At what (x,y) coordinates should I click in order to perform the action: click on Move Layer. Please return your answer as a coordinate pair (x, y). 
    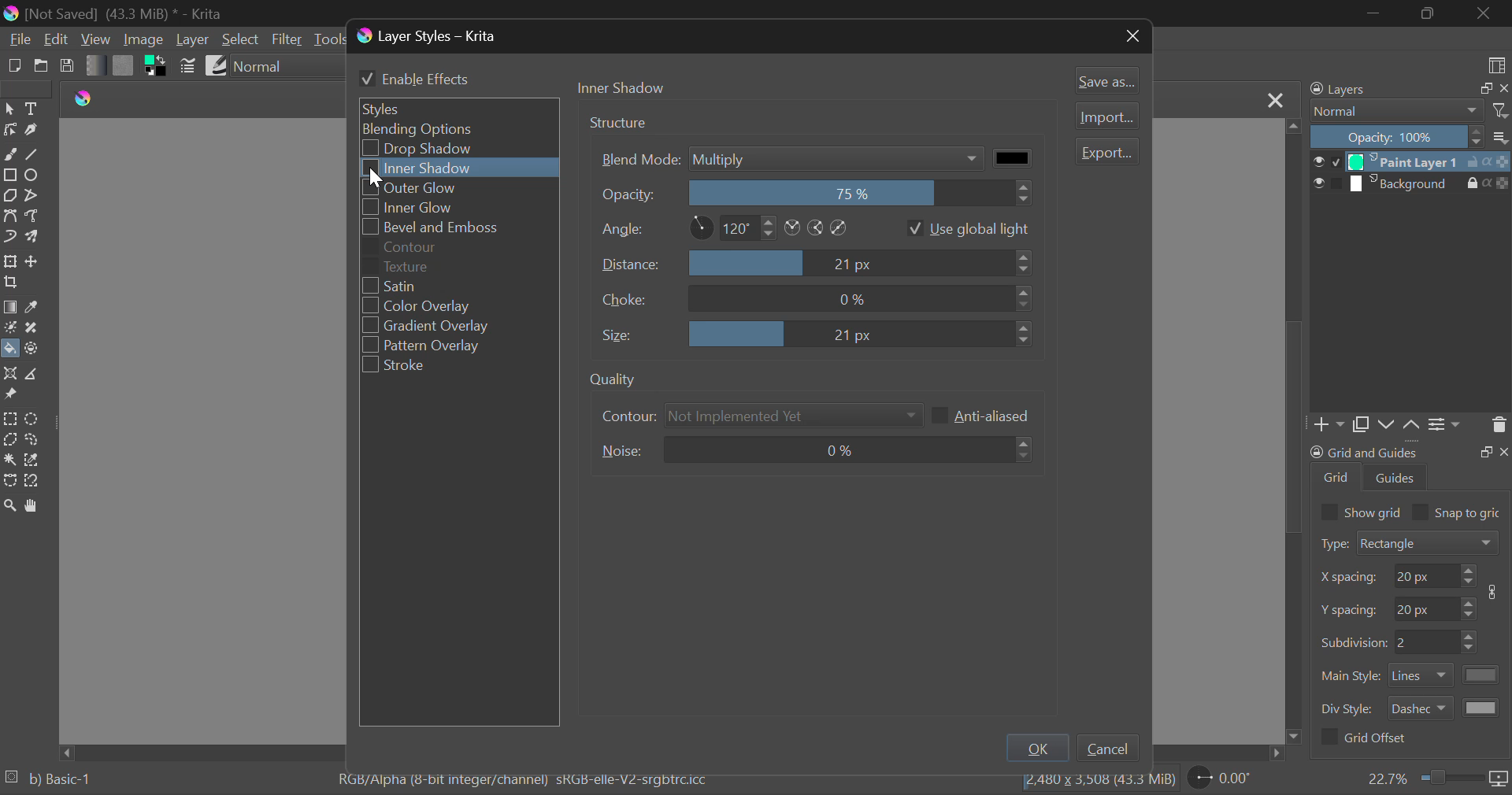
    Looking at the image, I should click on (34, 262).